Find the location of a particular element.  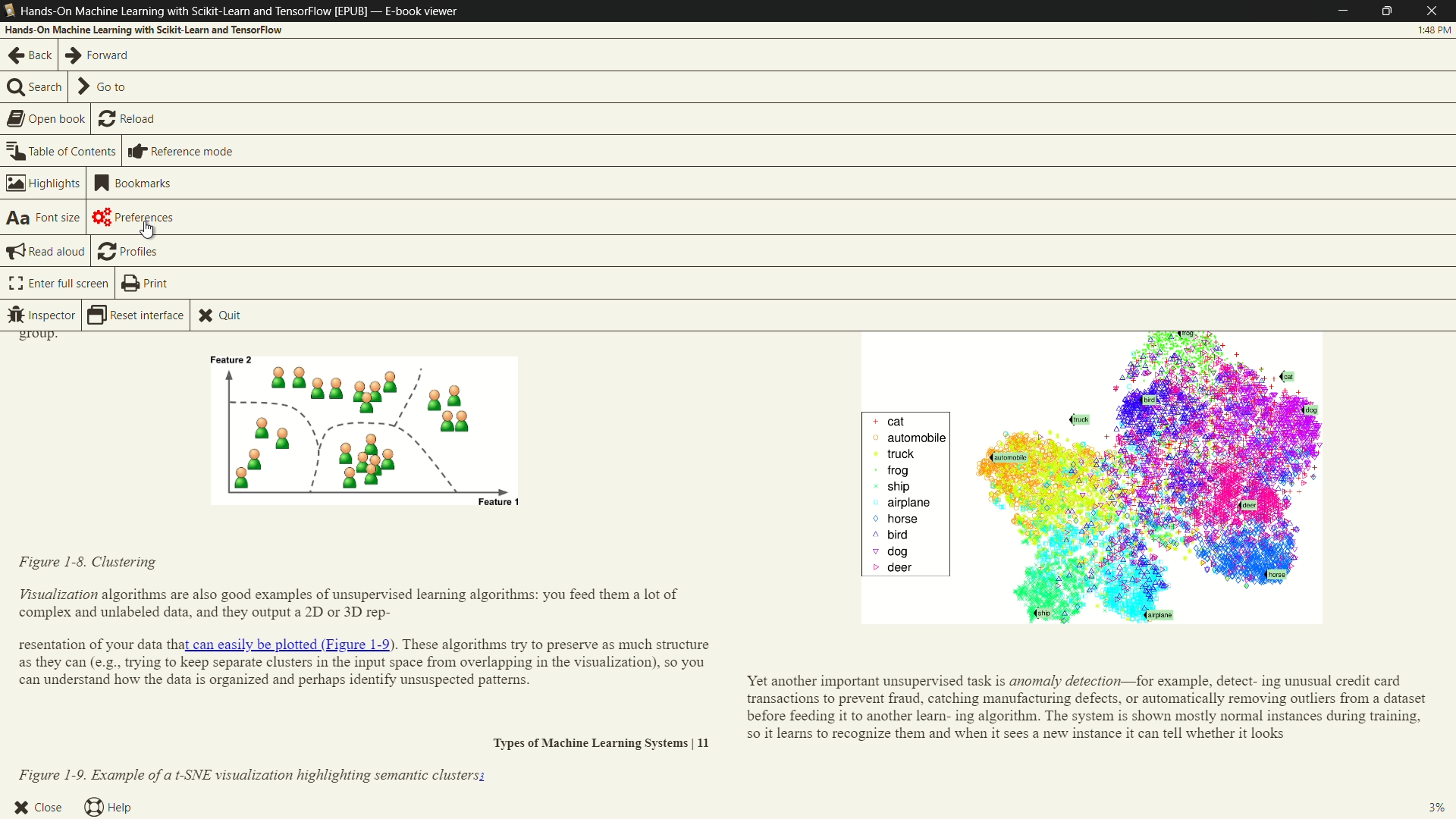

maximize is located at coordinates (1391, 11).